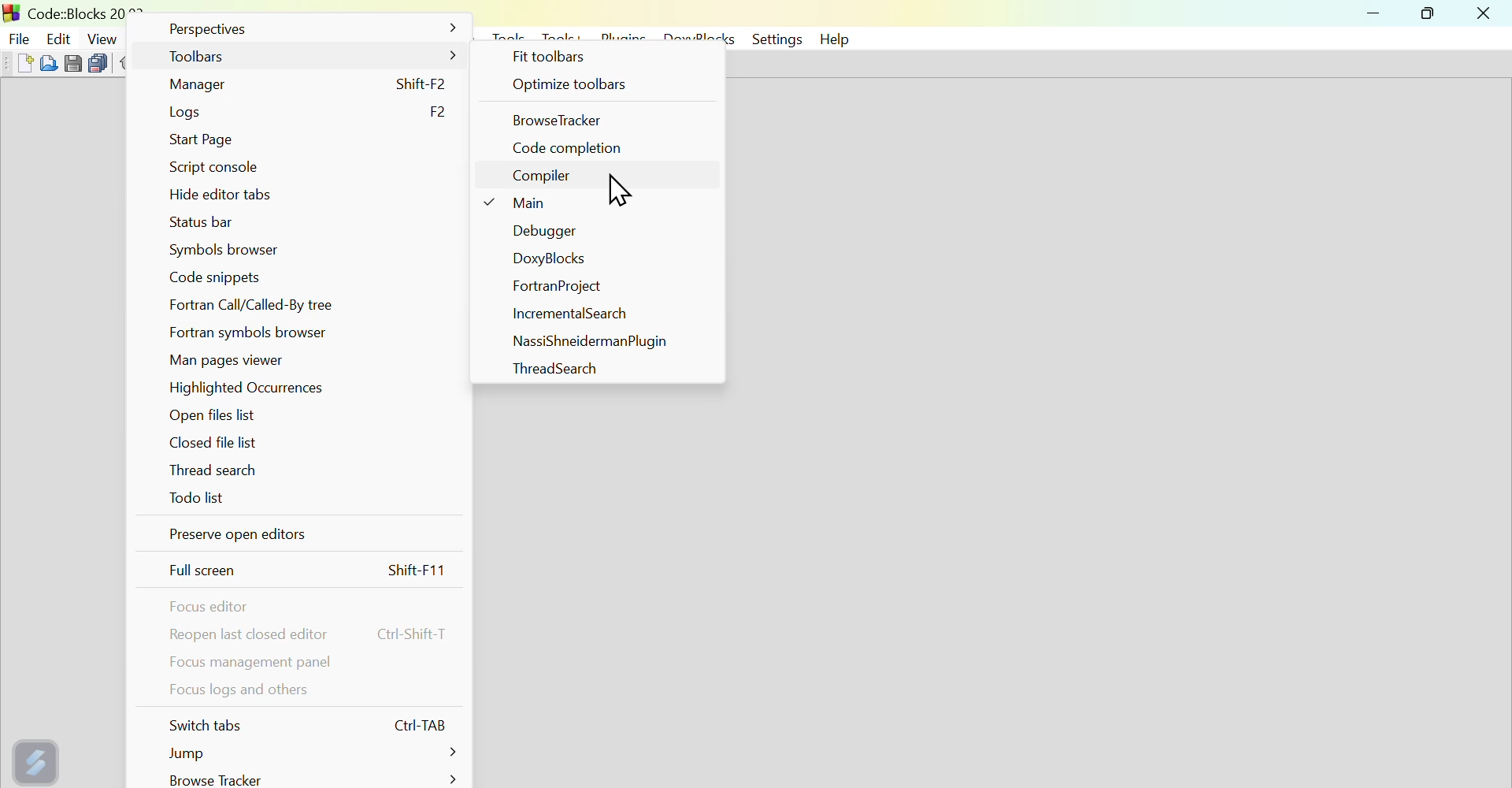 The height and width of the screenshot is (788, 1512). What do you see at coordinates (225, 277) in the screenshot?
I see `Code snippets` at bounding box center [225, 277].